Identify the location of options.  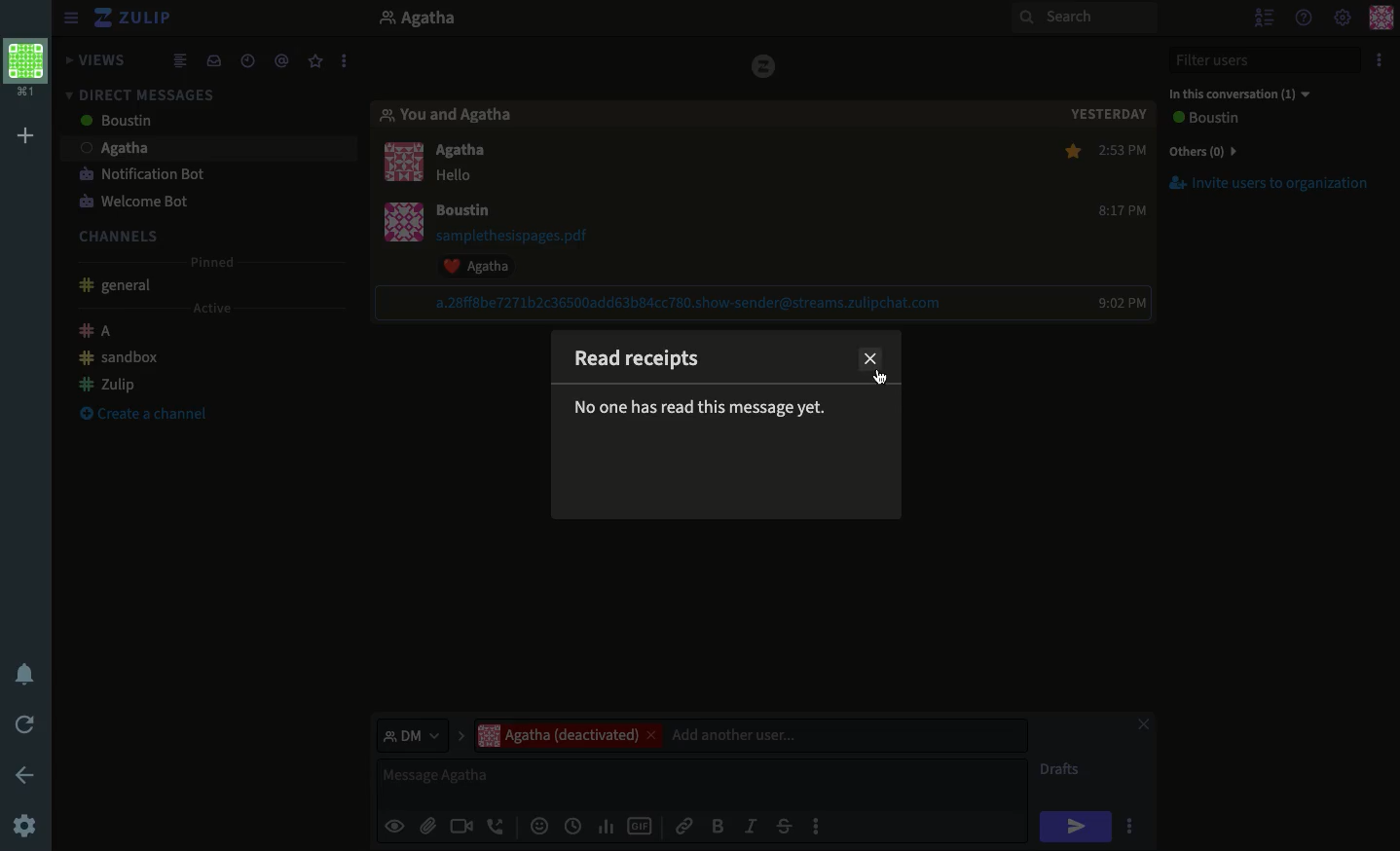
(818, 832).